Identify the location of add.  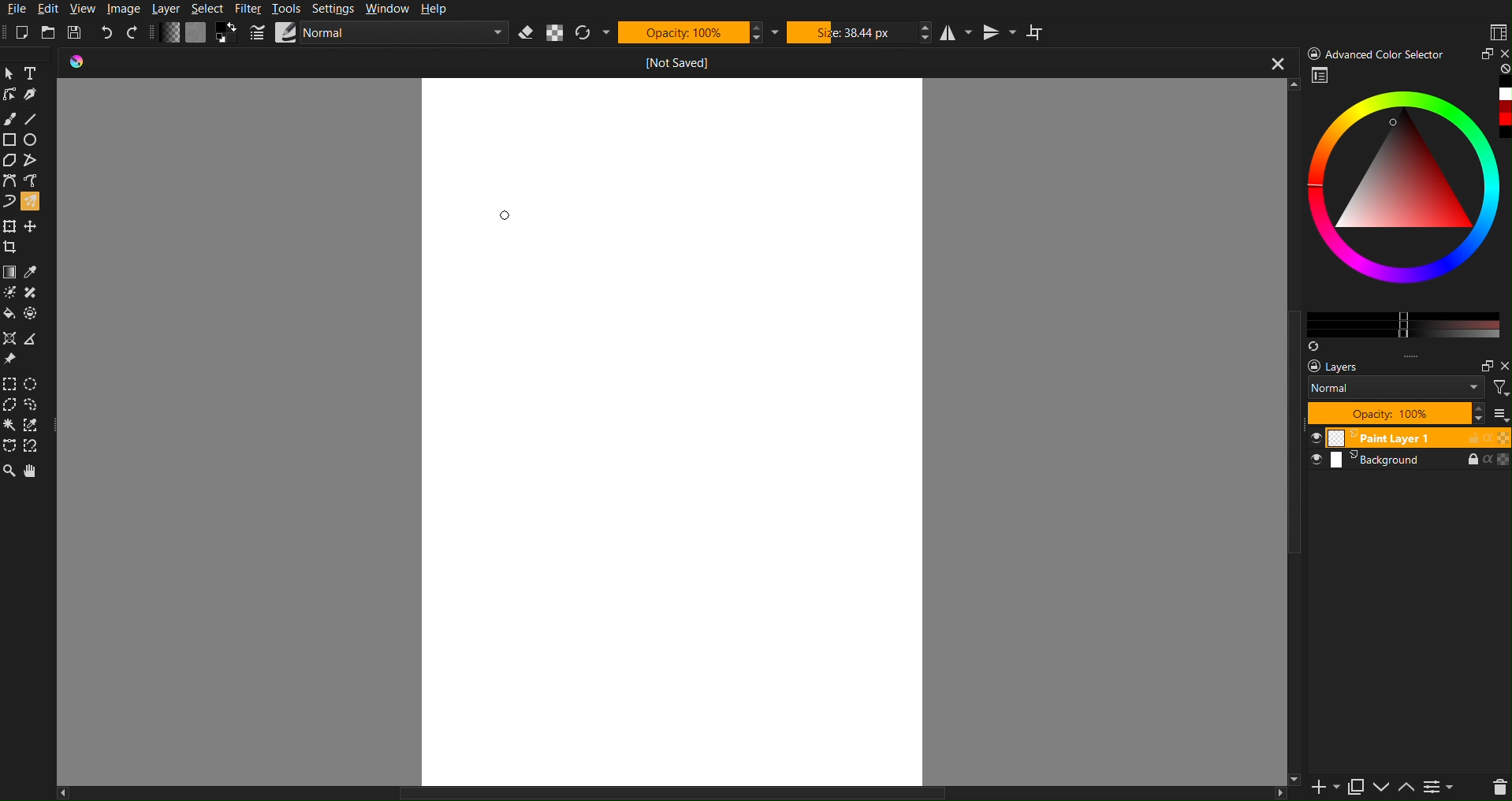
(1316, 789).